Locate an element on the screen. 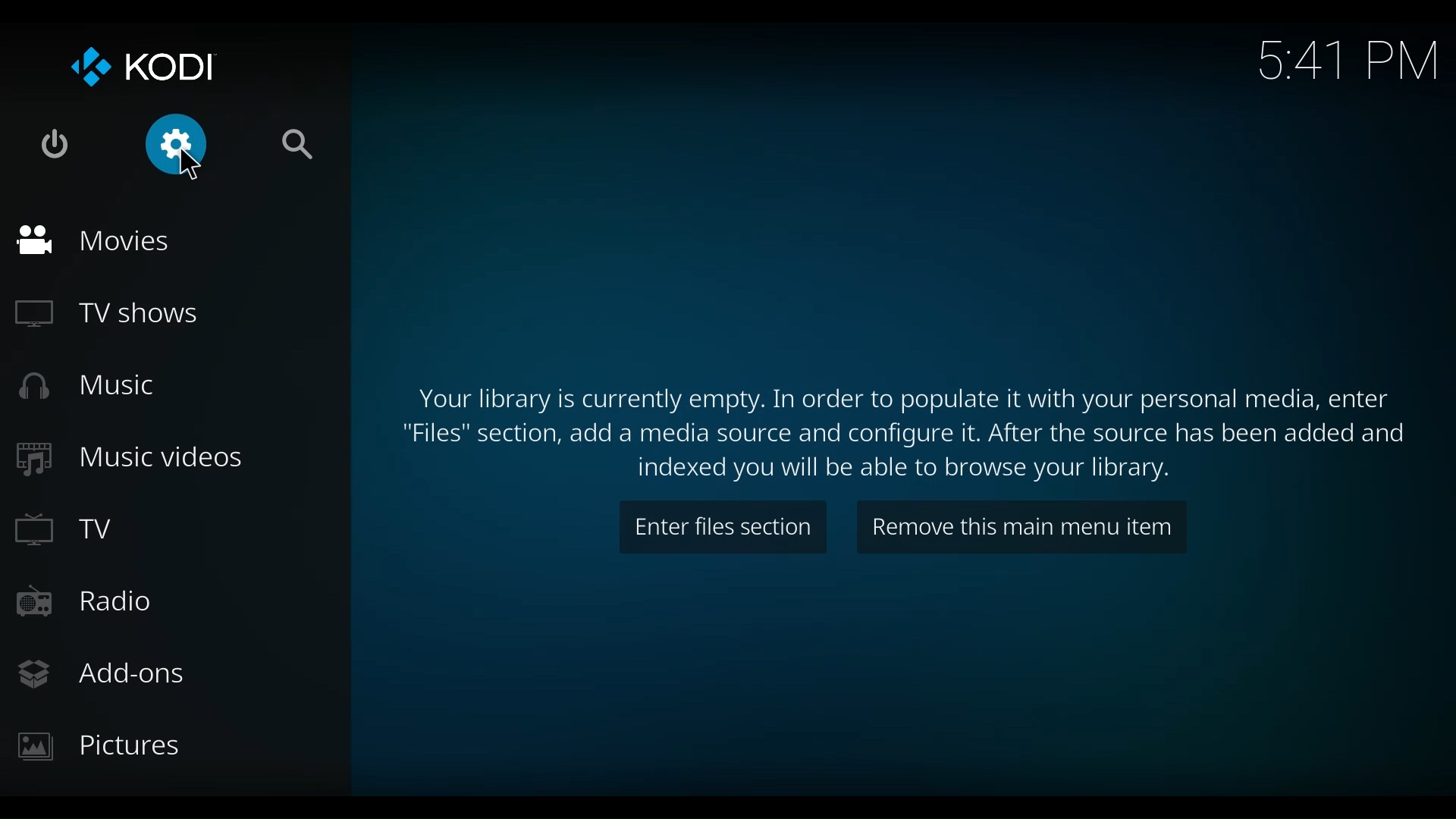  Exit is located at coordinates (55, 144).